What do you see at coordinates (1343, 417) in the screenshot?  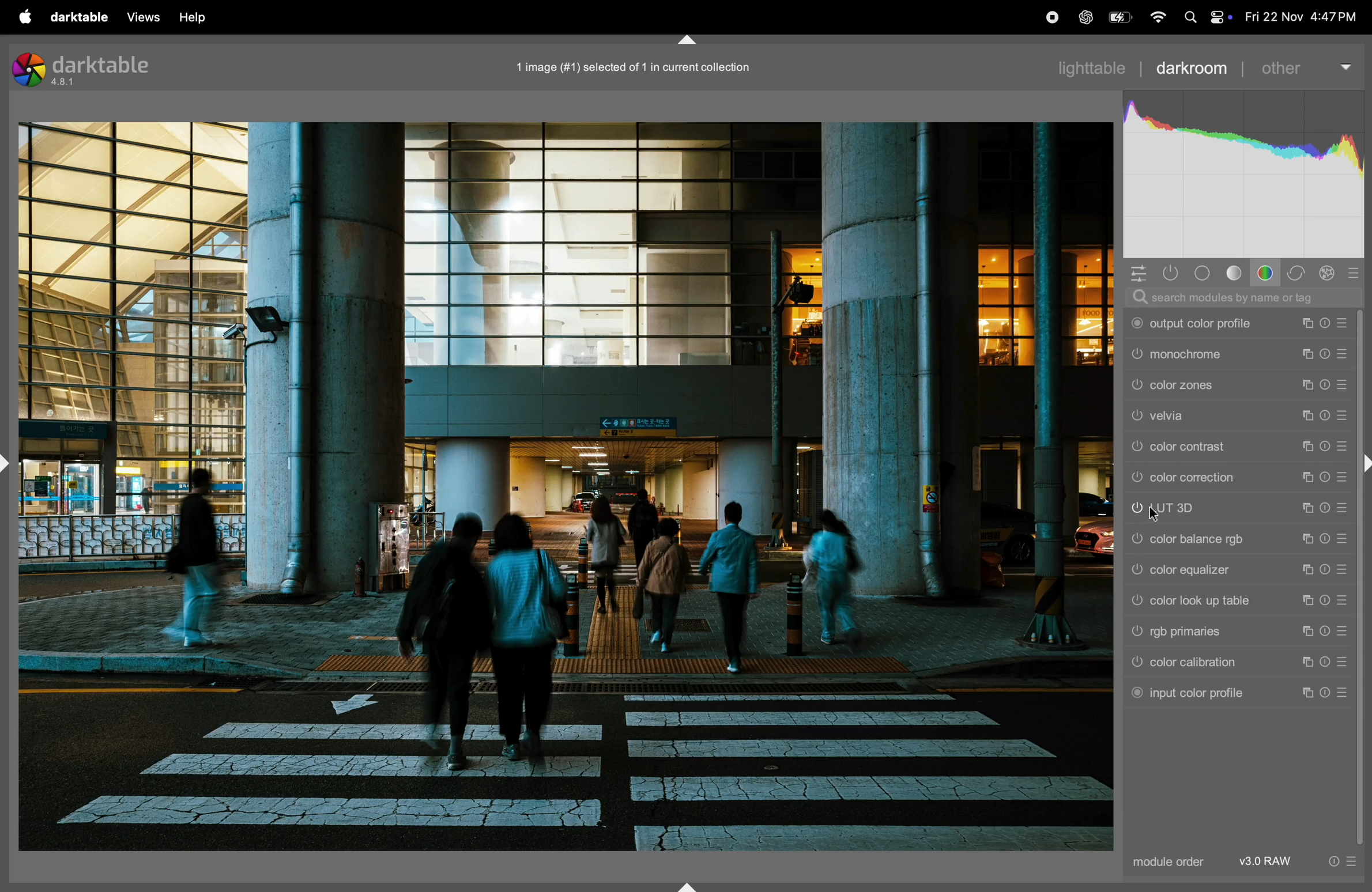 I see `presets` at bounding box center [1343, 417].